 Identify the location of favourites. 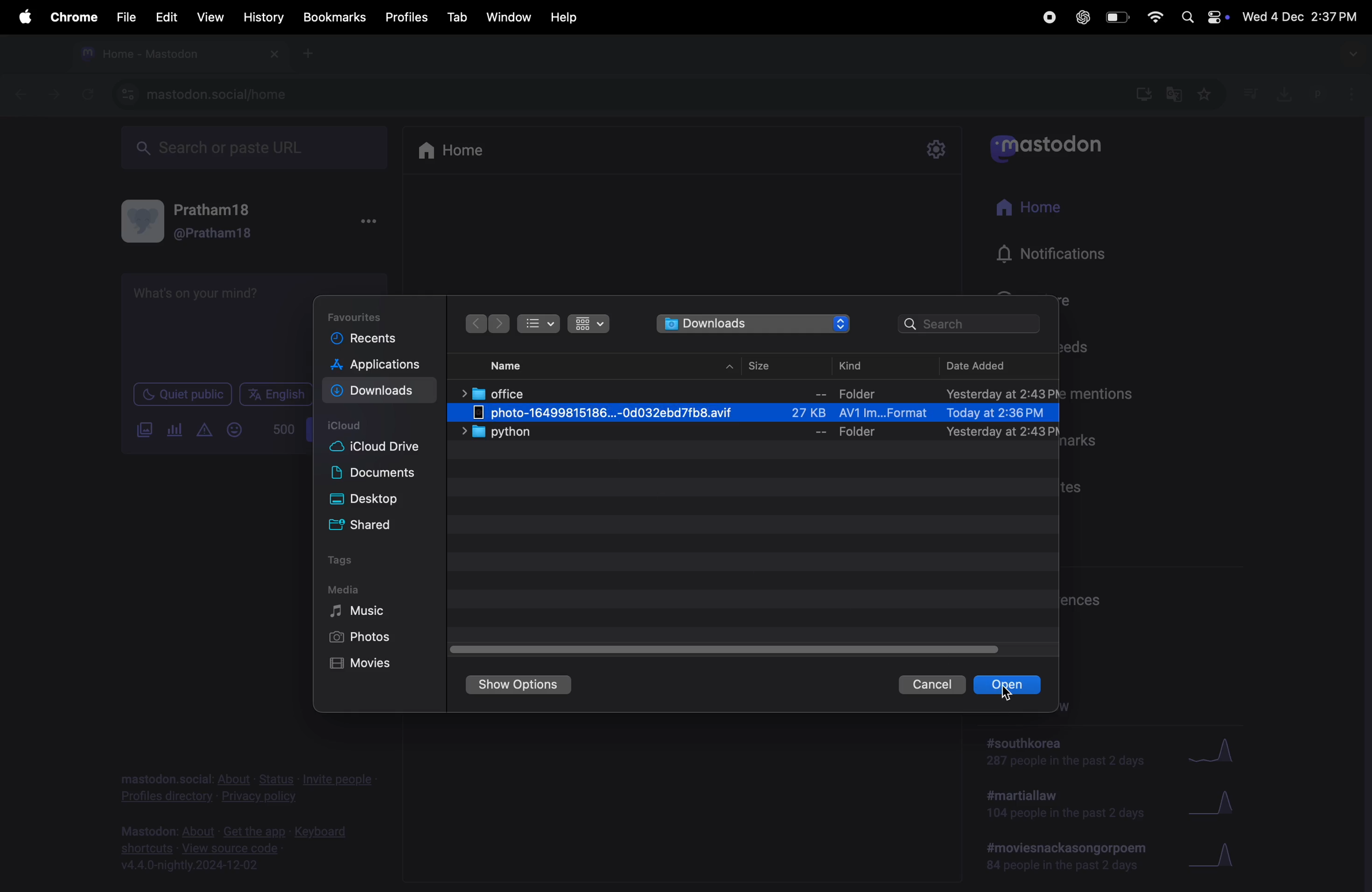
(1203, 96).